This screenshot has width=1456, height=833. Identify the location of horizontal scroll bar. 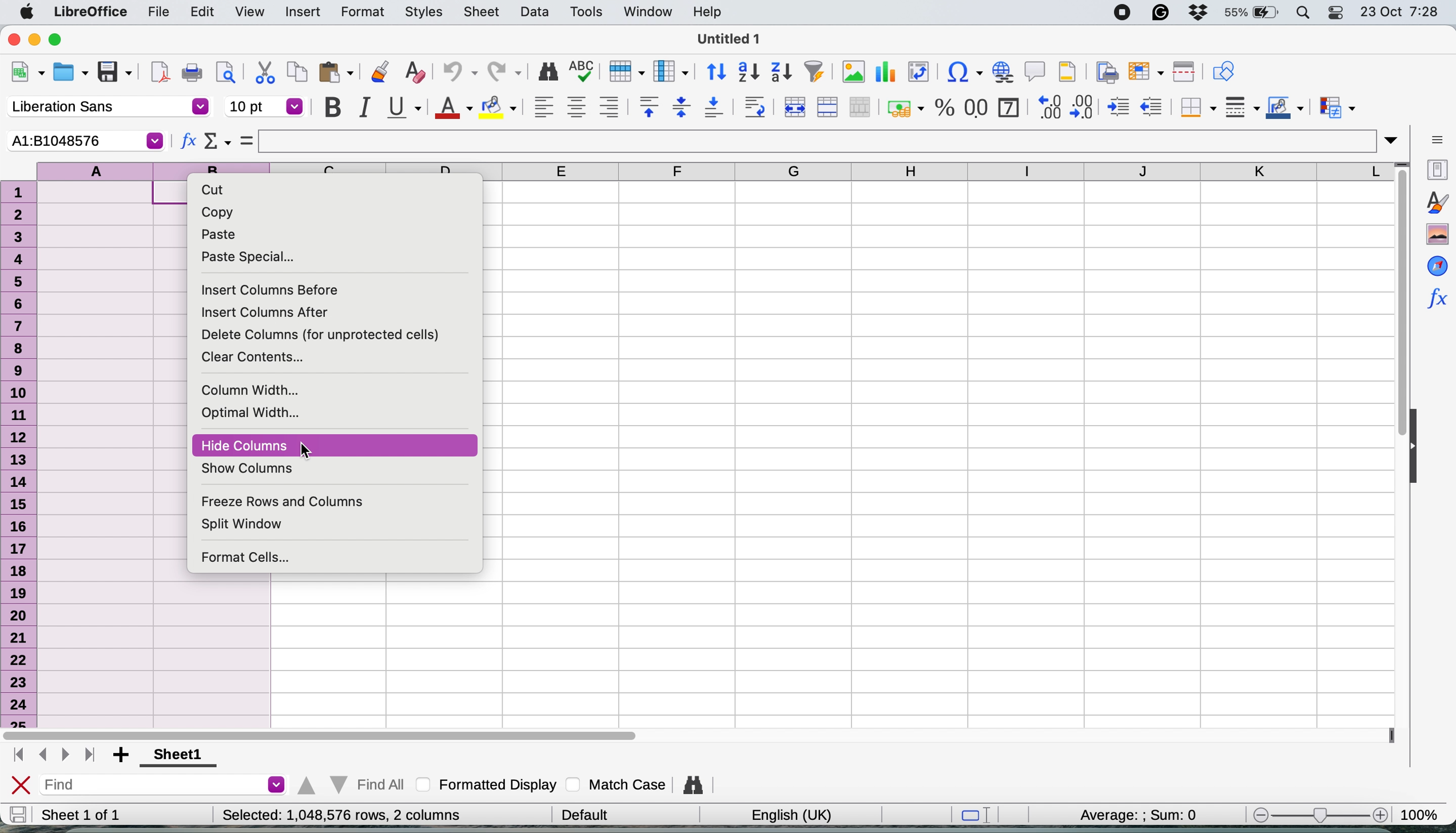
(326, 733).